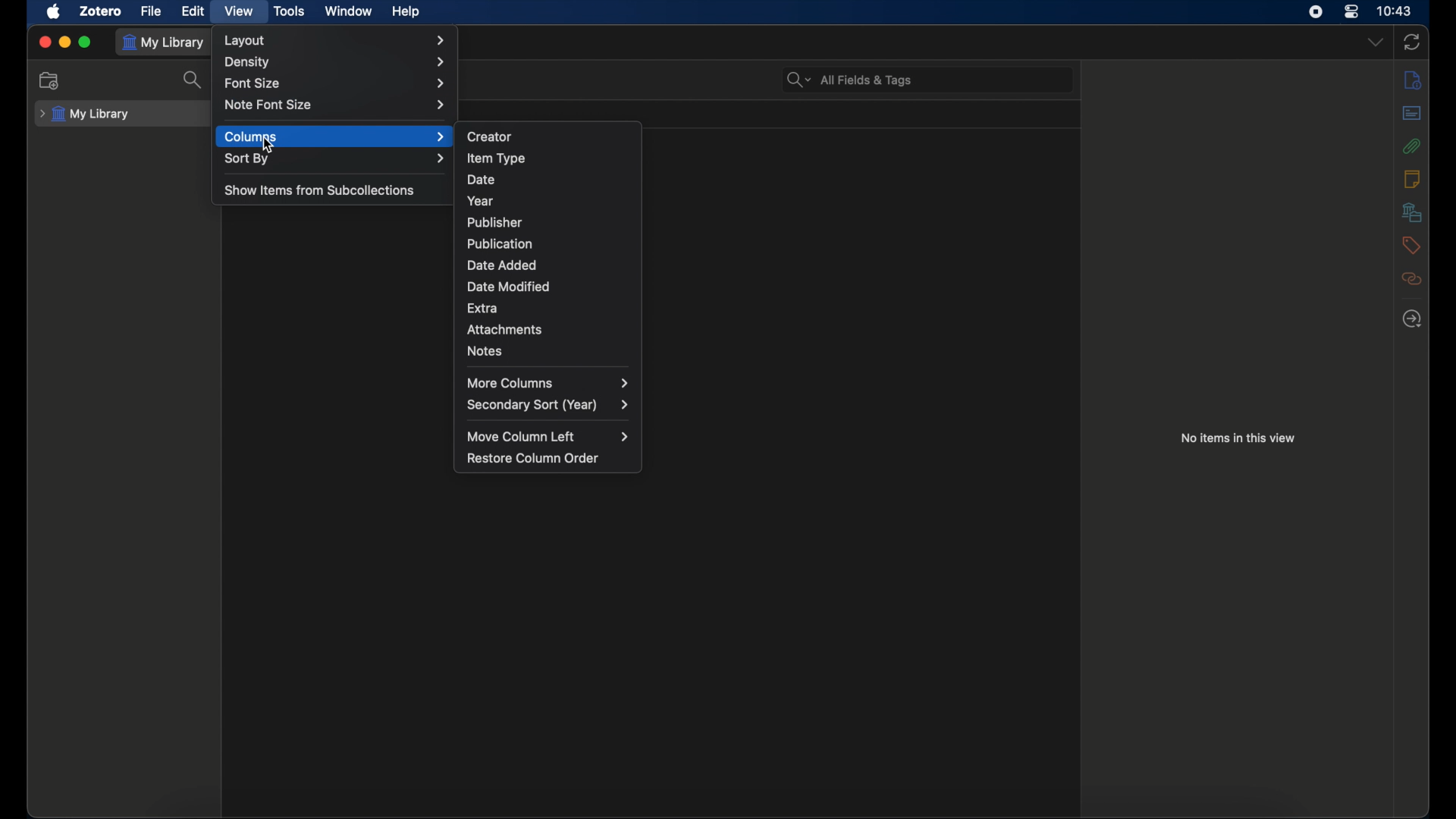 Image resolution: width=1456 pixels, height=819 pixels. What do you see at coordinates (505, 330) in the screenshot?
I see `attachments` at bounding box center [505, 330].